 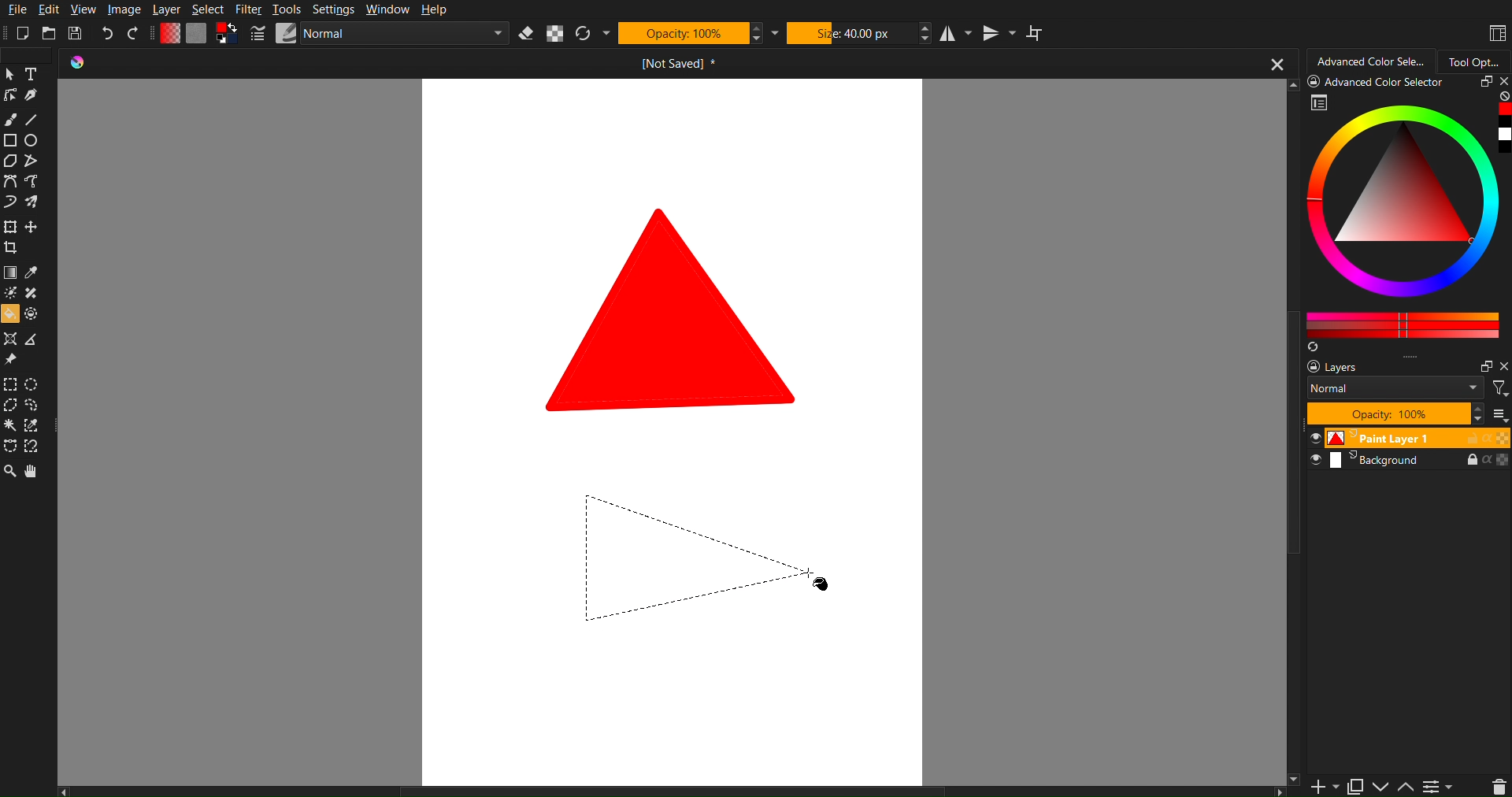 I want to click on Redo, so click(x=137, y=32).